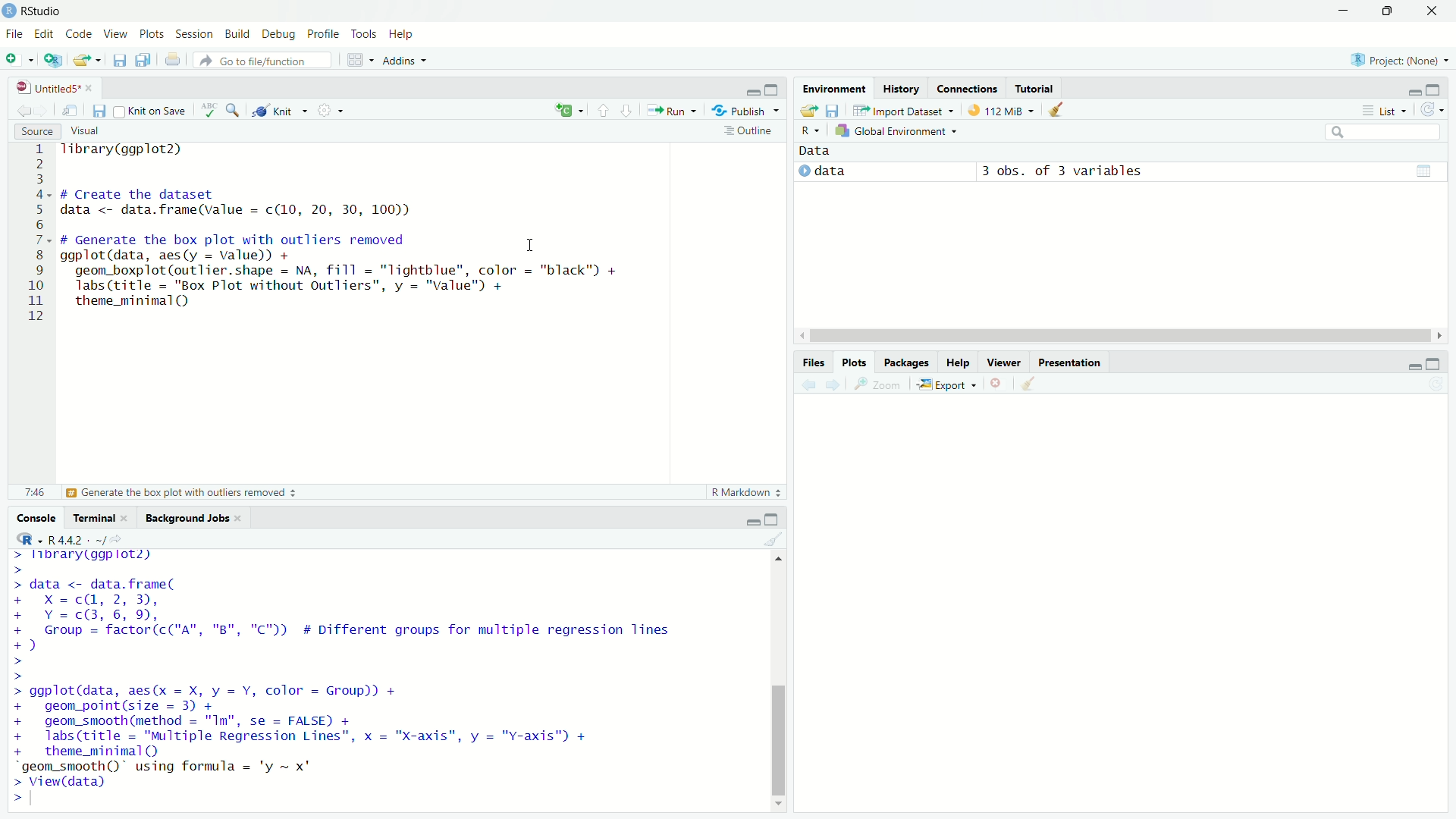 The width and height of the screenshot is (1456, 819). I want to click on 1
2
g
4.
5
6
7
8
9
10
11
12, so click(36, 233).